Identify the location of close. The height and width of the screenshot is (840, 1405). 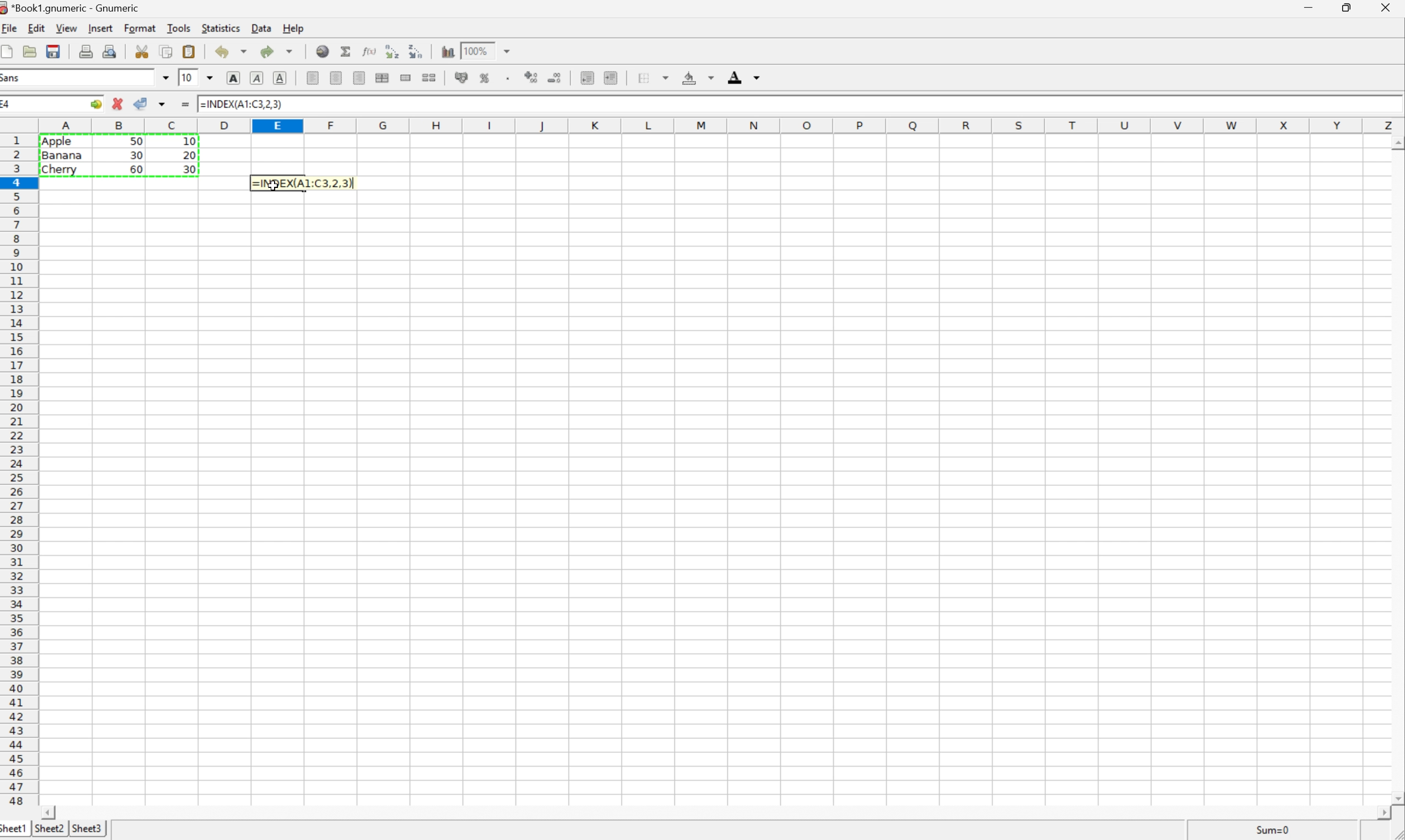
(1389, 8).